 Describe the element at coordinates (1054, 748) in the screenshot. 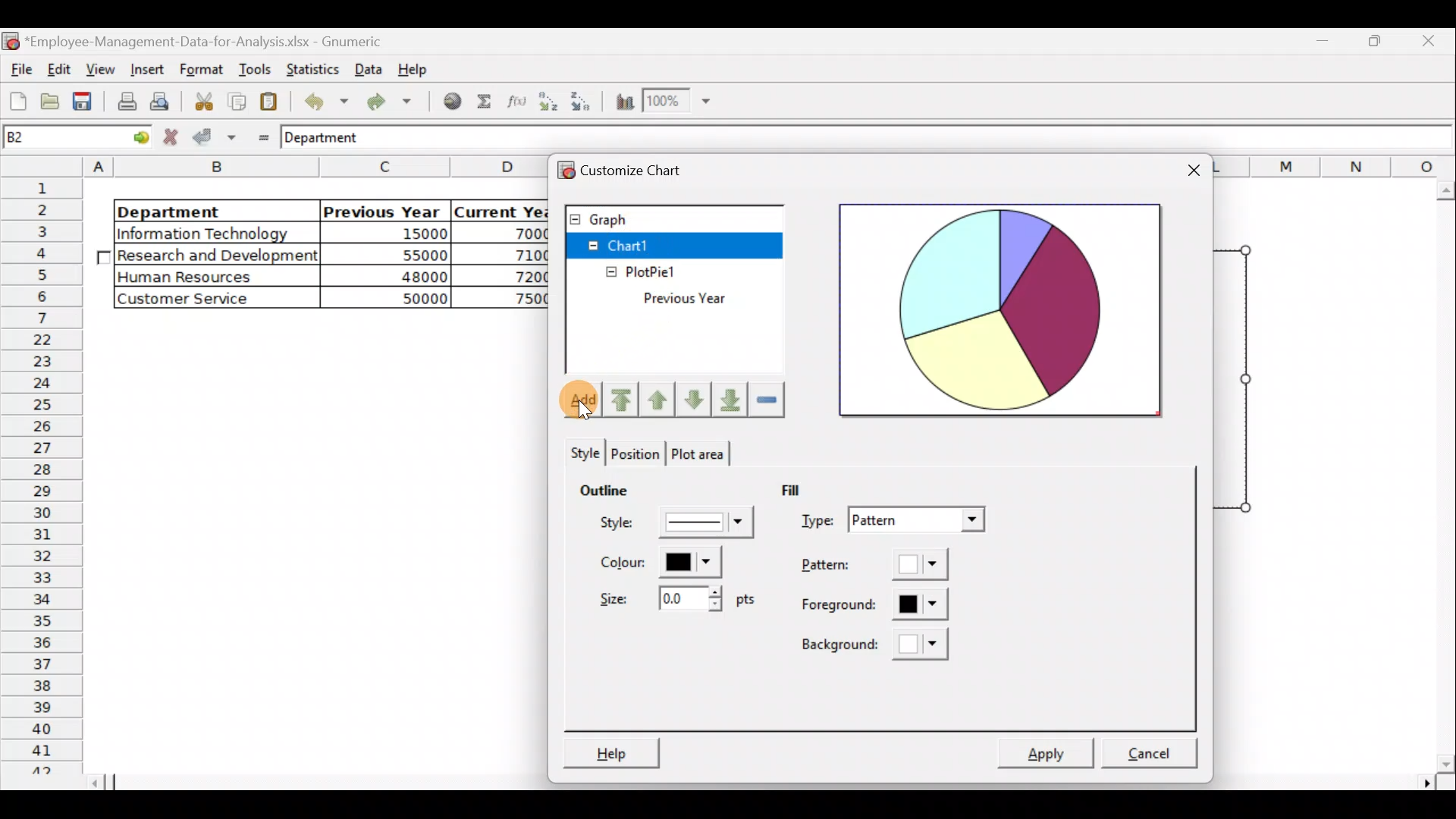

I see `Apply` at that location.